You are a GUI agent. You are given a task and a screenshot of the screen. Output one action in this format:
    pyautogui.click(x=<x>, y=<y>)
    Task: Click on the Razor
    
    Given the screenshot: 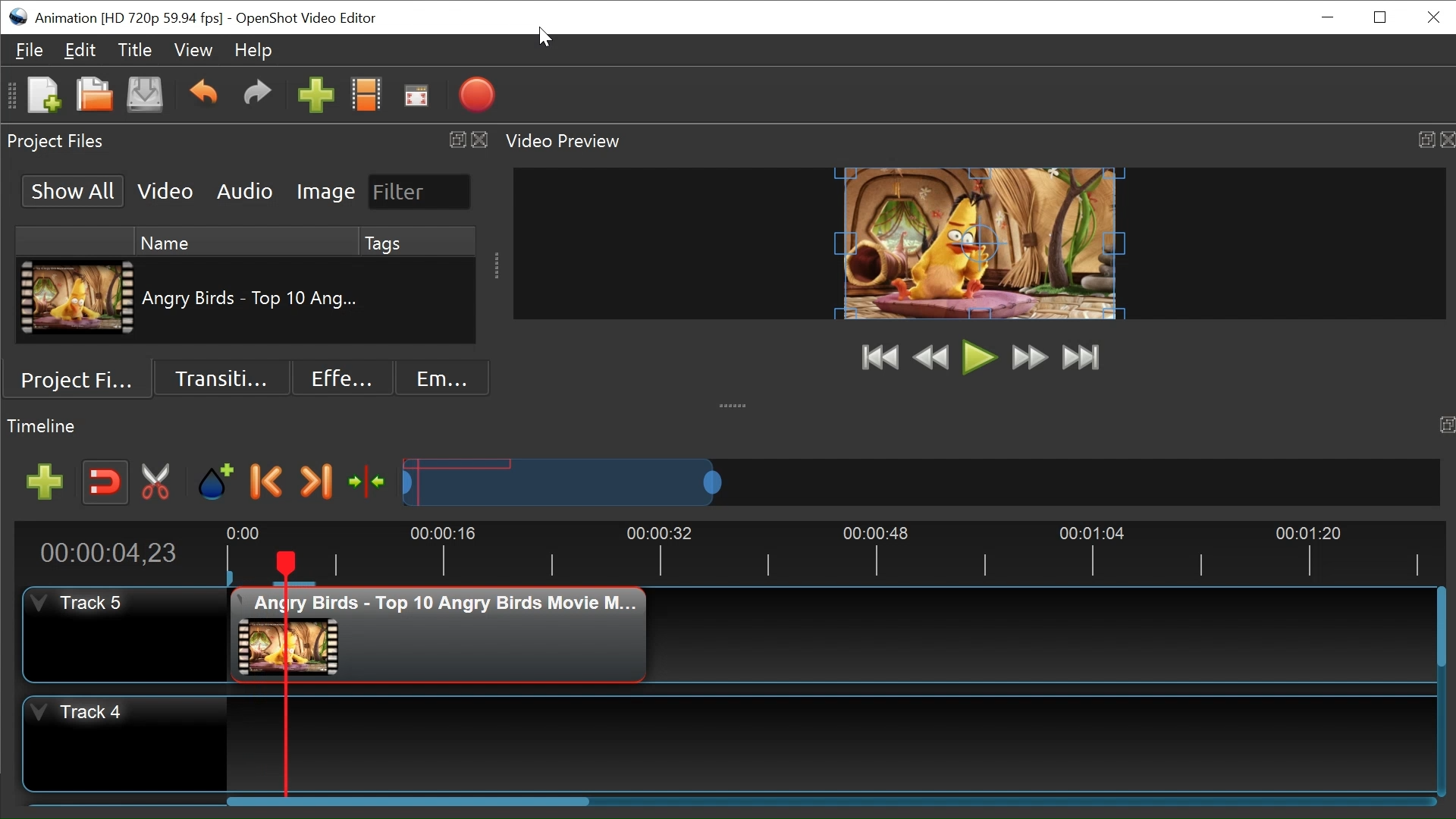 What is the action you would take?
    pyautogui.click(x=157, y=483)
    